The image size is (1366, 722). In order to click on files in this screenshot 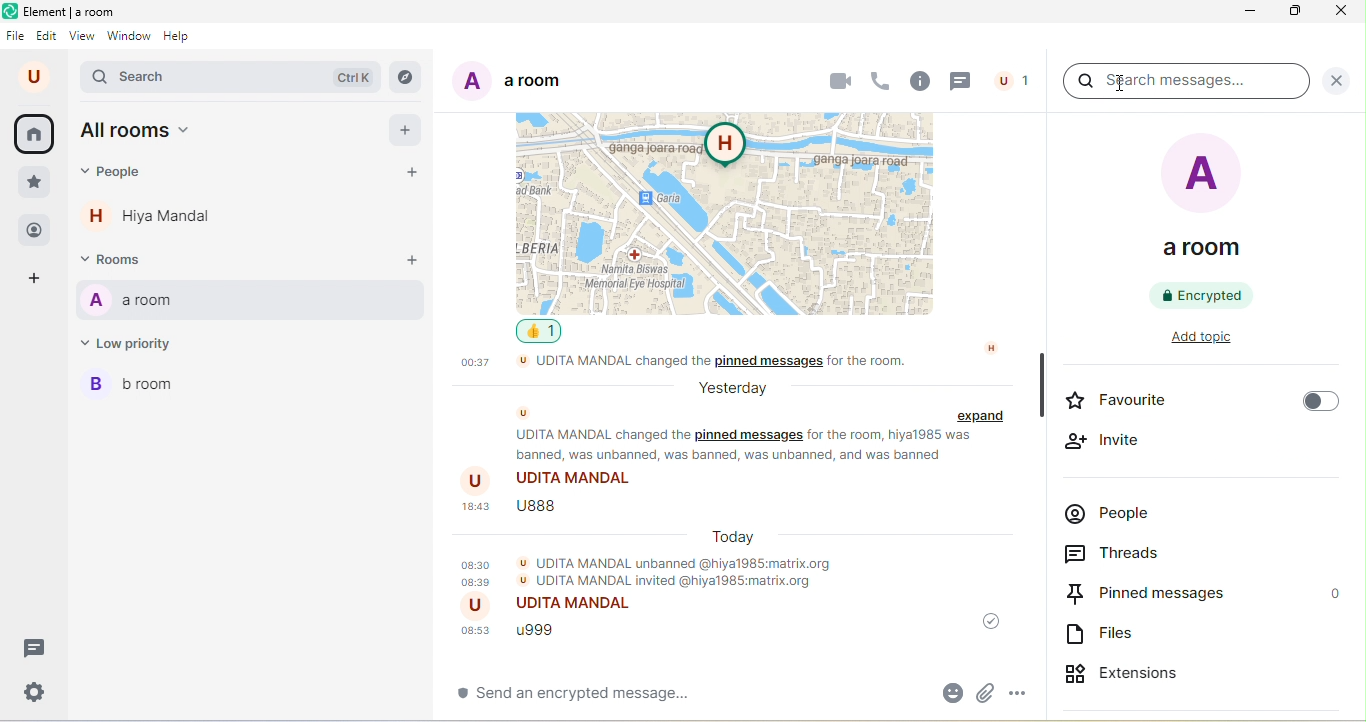, I will do `click(1107, 636)`.